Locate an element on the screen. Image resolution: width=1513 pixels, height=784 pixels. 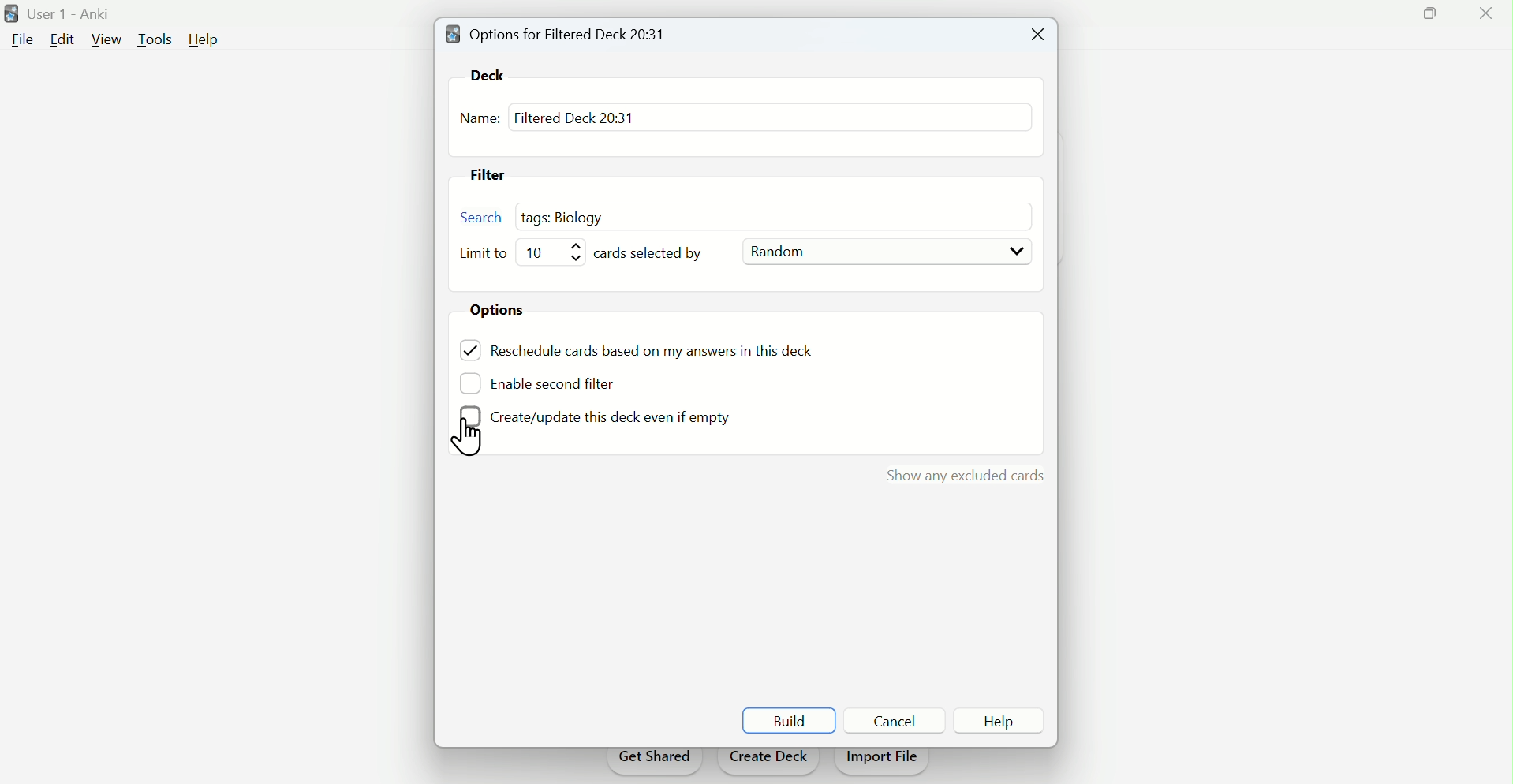
cursor is located at coordinates (473, 438).